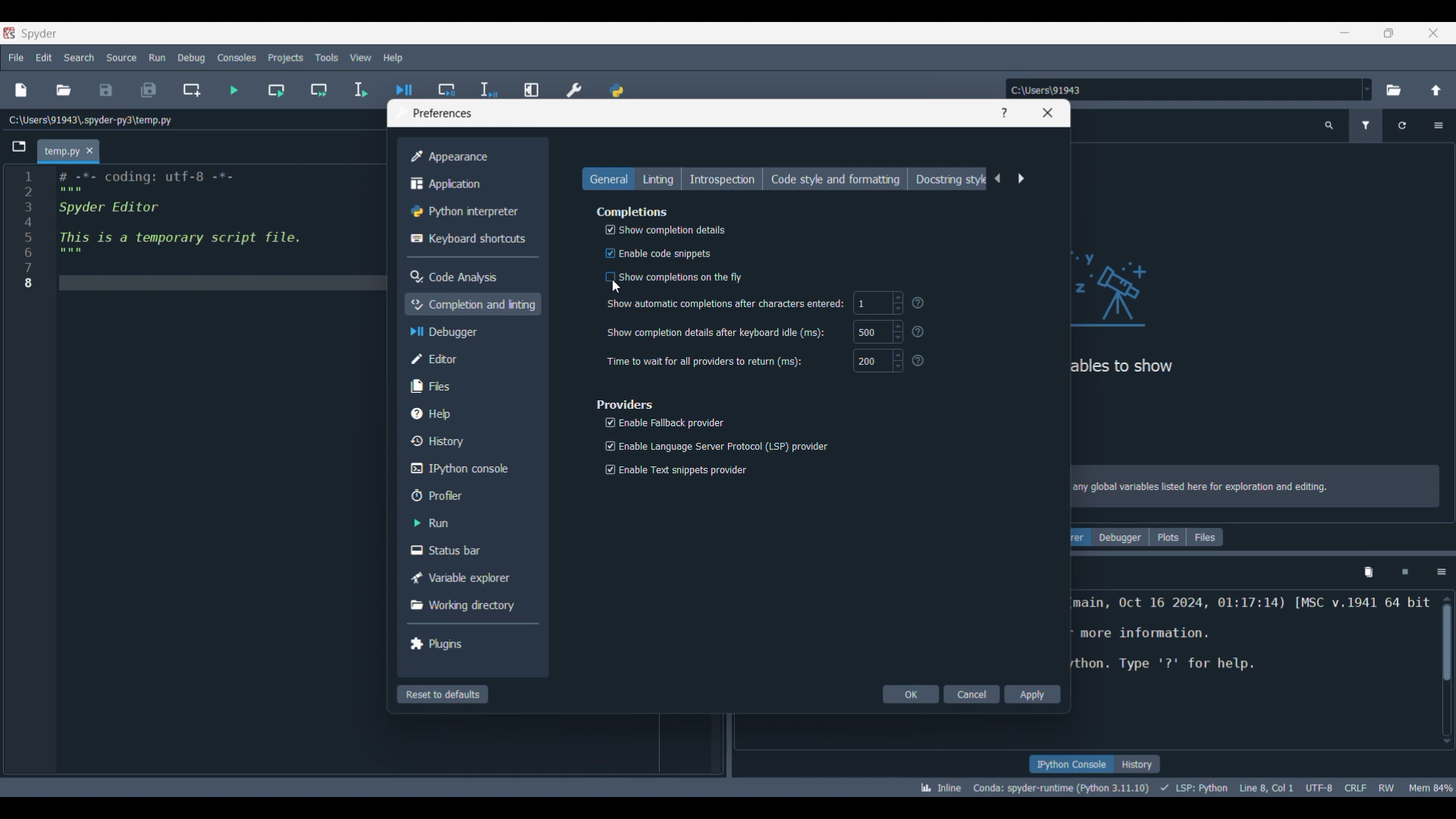 This screenshot has width=1456, height=819. What do you see at coordinates (360, 90) in the screenshot?
I see `Run selection/current line` at bounding box center [360, 90].